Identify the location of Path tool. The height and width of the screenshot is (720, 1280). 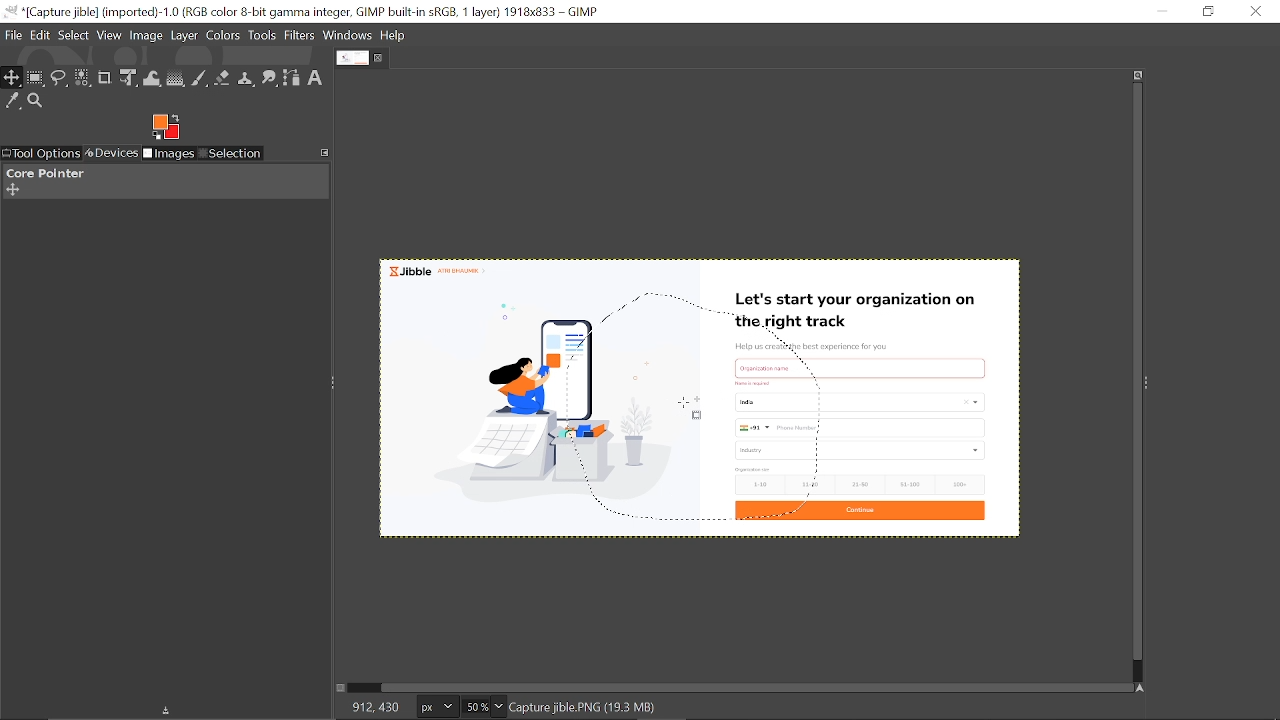
(292, 79).